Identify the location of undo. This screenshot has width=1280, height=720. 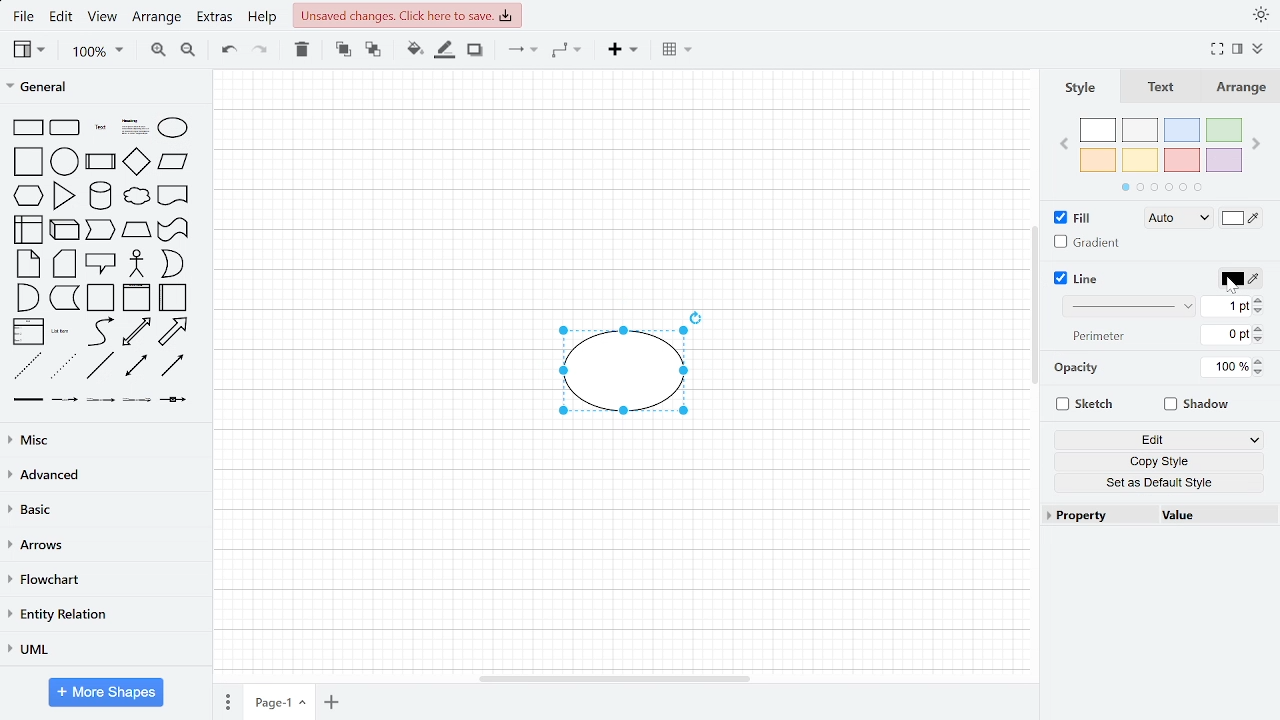
(225, 50).